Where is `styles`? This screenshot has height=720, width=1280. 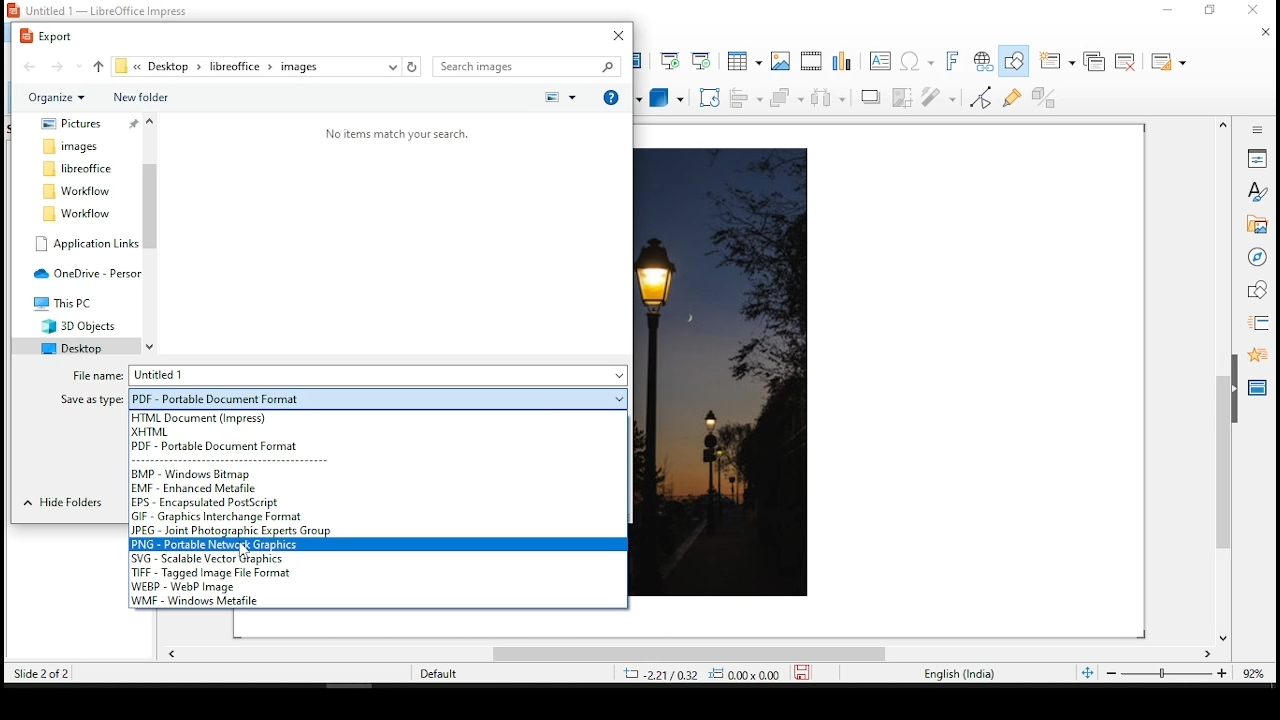
styles is located at coordinates (1255, 192).